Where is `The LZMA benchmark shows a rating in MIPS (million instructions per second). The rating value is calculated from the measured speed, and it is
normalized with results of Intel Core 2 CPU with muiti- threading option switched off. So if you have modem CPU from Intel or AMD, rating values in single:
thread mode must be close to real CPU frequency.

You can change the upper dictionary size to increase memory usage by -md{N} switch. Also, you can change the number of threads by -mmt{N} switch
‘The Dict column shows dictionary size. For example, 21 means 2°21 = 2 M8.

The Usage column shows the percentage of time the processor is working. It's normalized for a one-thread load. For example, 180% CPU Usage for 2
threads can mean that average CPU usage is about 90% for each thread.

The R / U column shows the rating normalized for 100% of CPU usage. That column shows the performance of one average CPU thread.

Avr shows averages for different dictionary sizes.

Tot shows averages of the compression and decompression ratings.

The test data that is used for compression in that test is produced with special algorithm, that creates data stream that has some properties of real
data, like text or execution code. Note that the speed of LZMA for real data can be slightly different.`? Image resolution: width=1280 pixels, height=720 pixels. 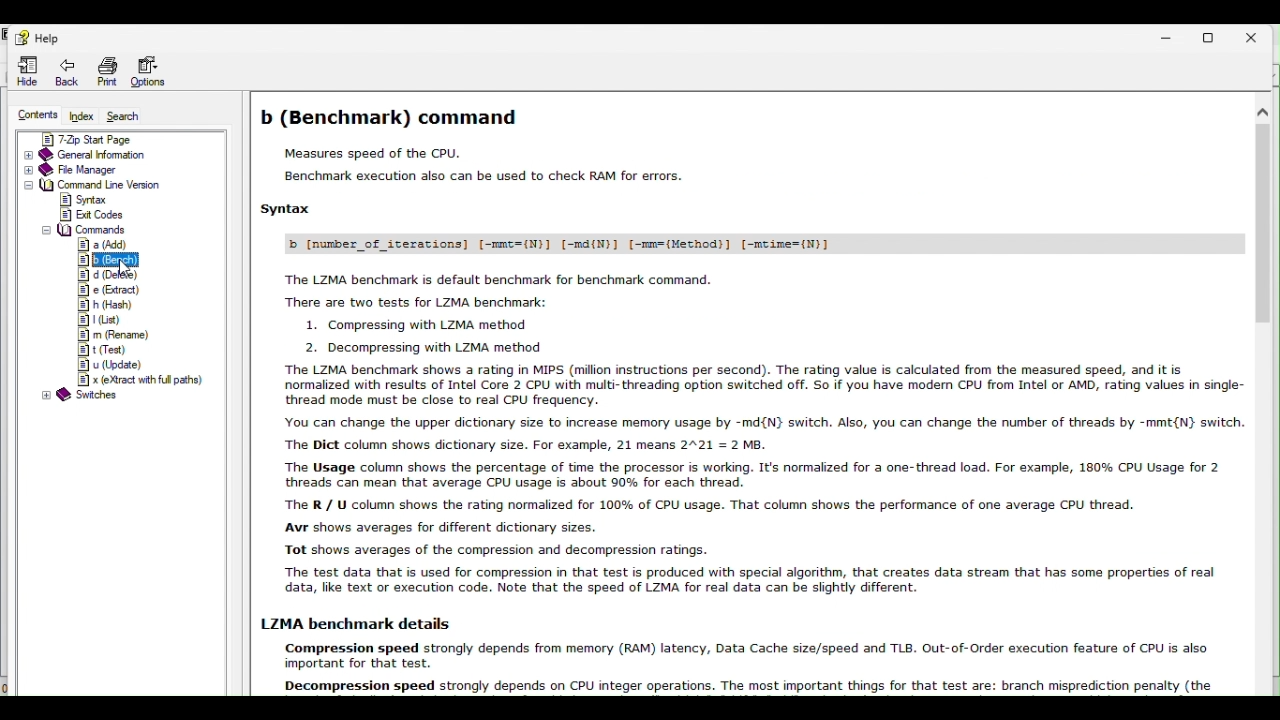
The LZMA benchmark shows a rating in MIPS (million instructions per second). The rating value is calculated from the measured speed, and it is
normalized with results of Intel Core 2 CPU with muiti- threading option switched off. So if you have modem CPU from Intel or AMD, rating values in single:
thread mode must be close to real CPU frequency.

You can change the upper dictionary size to increase memory usage by -md{N} switch. Also, you can change the number of threads by -mmt{N} switch
‘The Dict column shows dictionary size. For example, 21 means 2°21 = 2 M8.

The Usage column shows the percentage of time the processor is working. It's normalized for a one-thread load. For example, 180% CPU Usage for 2
threads can mean that average CPU usage is about 90% for each thread.

The R / U column shows the rating normalized for 100% of CPU usage. That column shows the performance of one average CPU thread.

Avr shows averages for different dictionary sizes.

Tot shows averages of the compression and decompression ratings.

The test data that is used for compression in that test is produced with special algorithm, that creates data stream that has some properties of real
data, like text or execution code. Note that the speed of LZMA for real data can be slightly different. is located at coordinates (753, 478).